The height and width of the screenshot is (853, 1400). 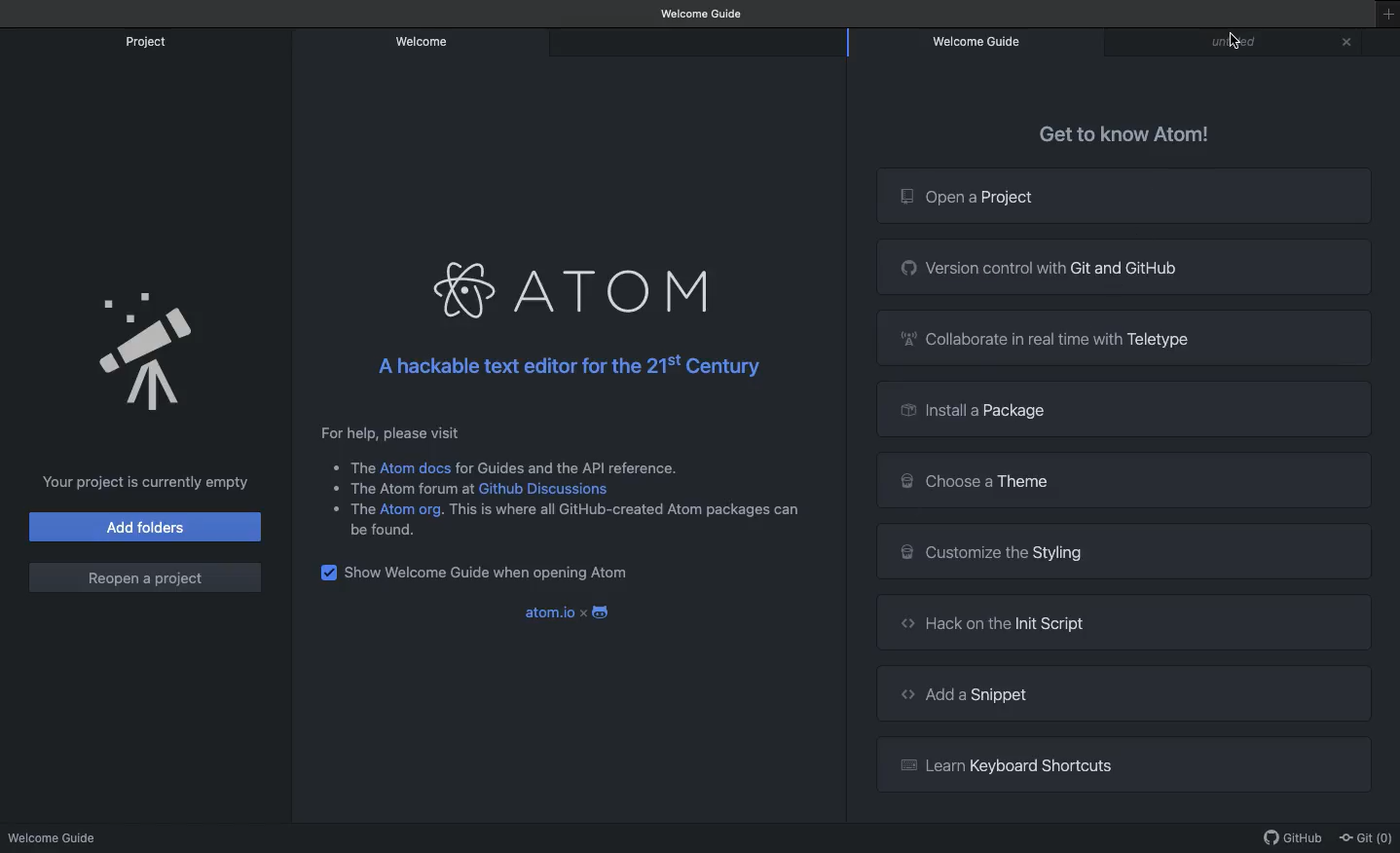 What do you see at coordinates (147, 42) in the screenshot?
I see `Project` at bounding box center [147, 42].